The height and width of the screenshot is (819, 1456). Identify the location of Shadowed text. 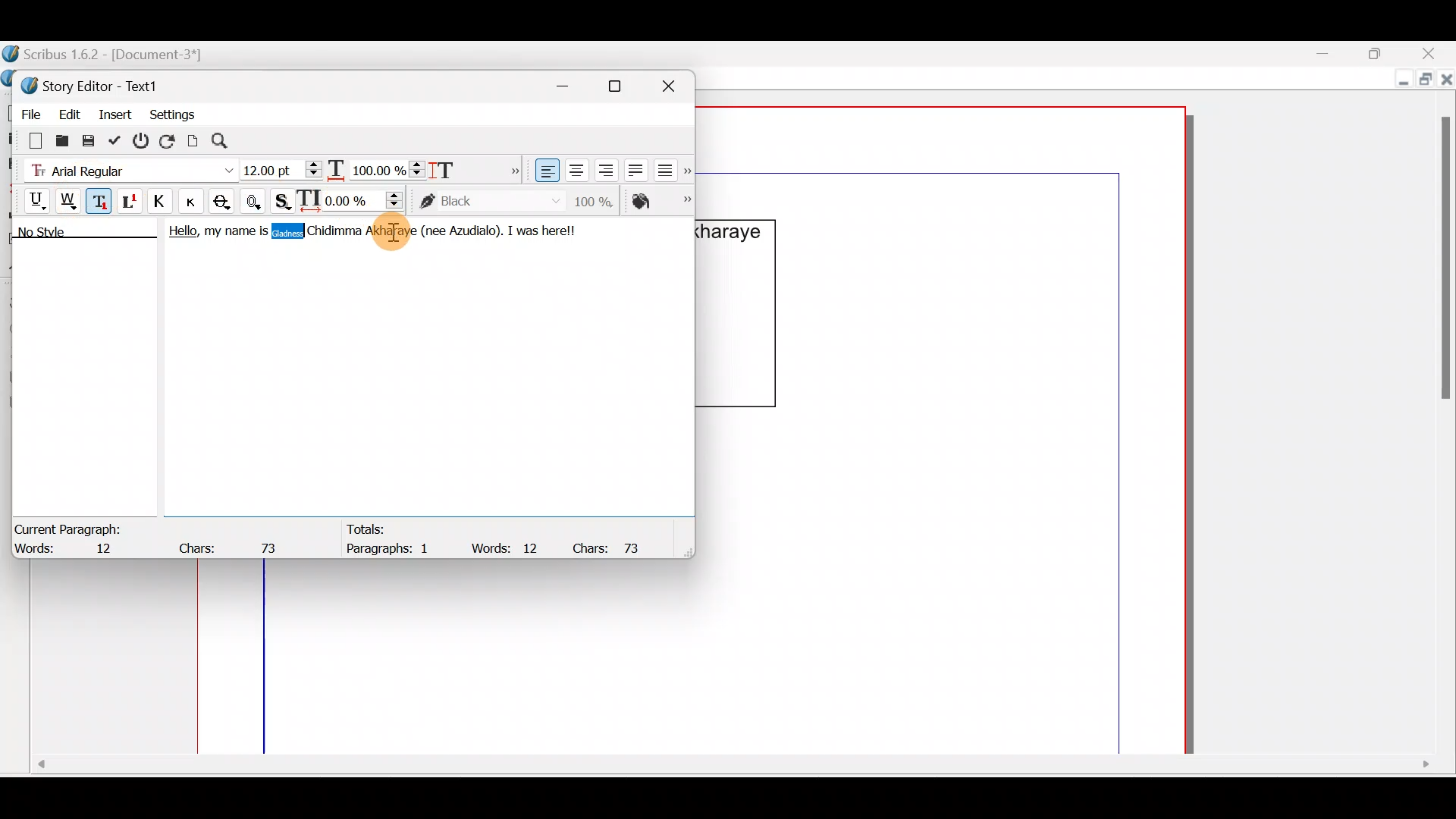
(284, 199).